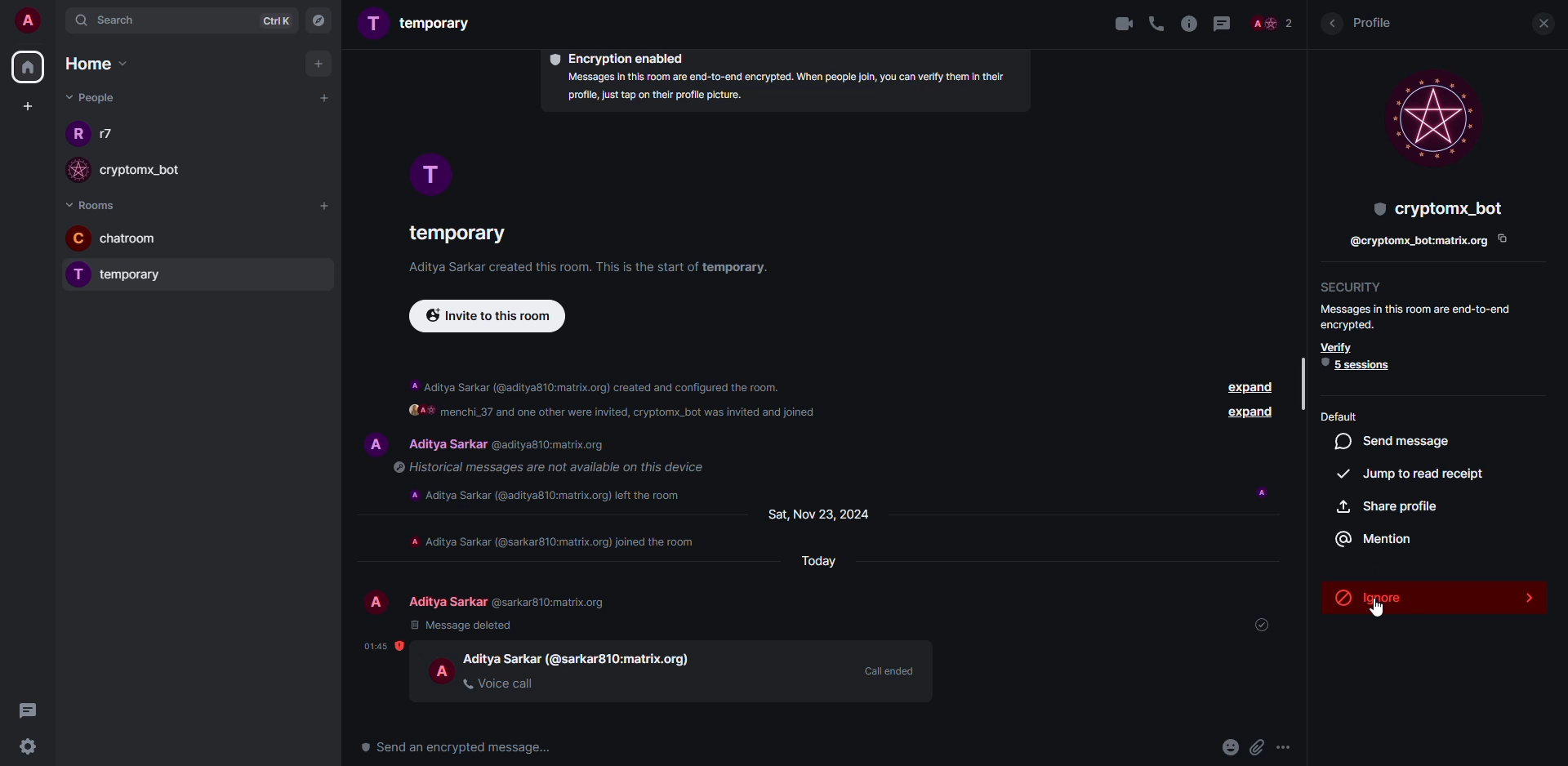 The image size is (1568, 766). What do you see at coordinates (1388, 505) in the screenshot?
I see `share profile` at bounding box center [1388, 505].